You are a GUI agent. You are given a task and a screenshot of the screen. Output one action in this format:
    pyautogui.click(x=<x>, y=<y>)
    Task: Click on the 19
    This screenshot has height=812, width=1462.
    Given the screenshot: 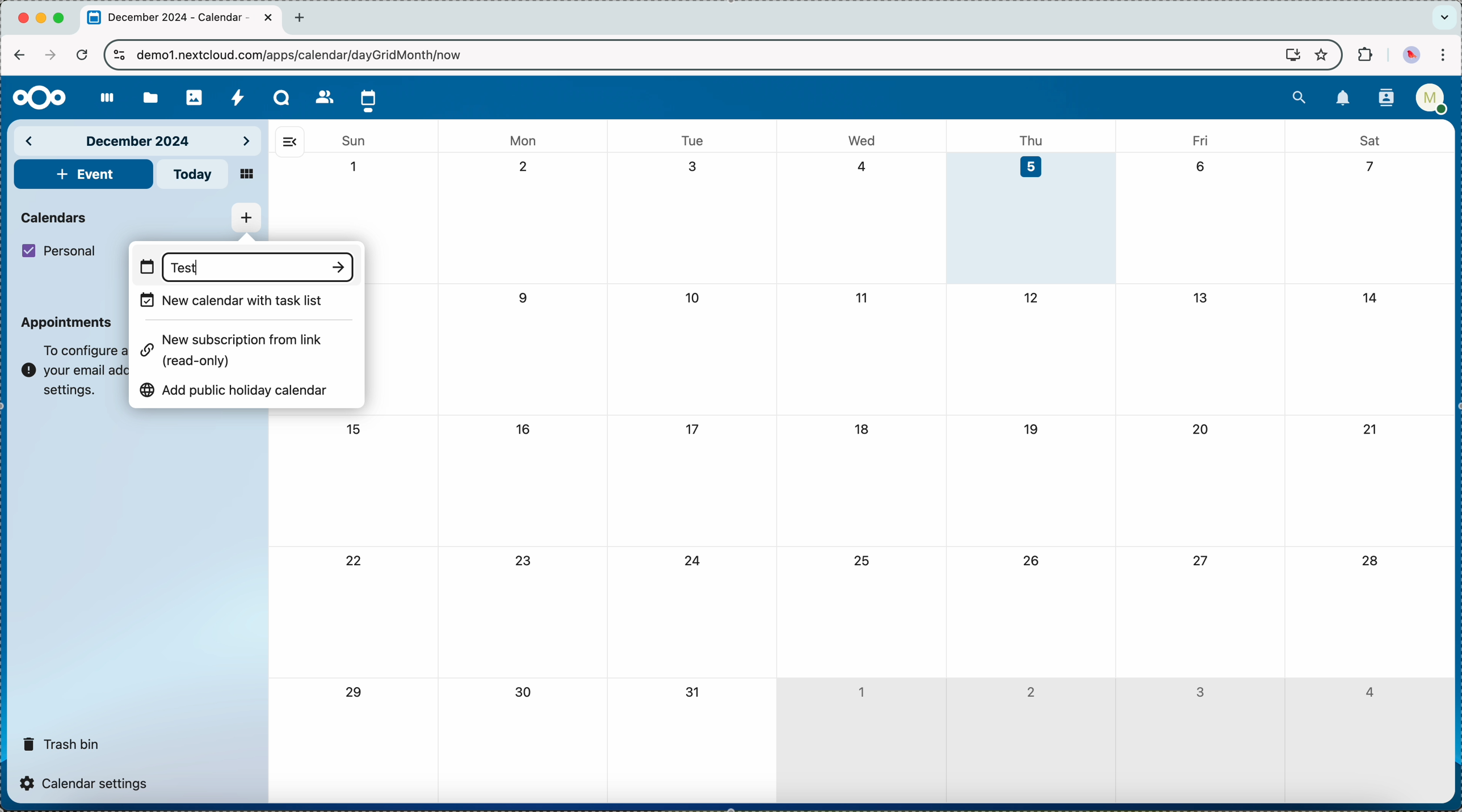 What is the action you would take?
    pyautogui.click(x=1032, y=428)
    